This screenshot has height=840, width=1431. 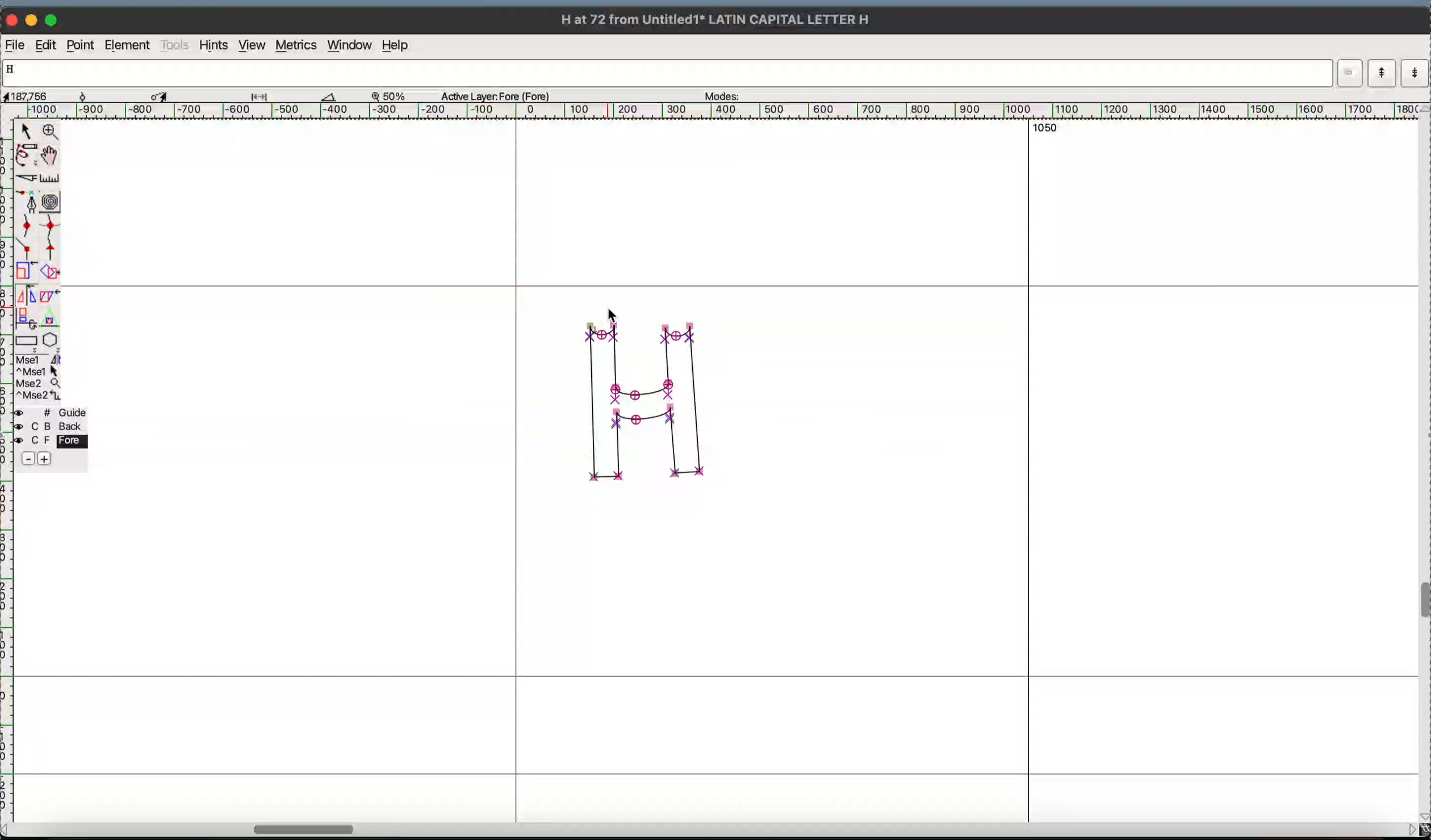 What do you see at coordinates (491, 96) in the screenshot?
I see `Active Layer: Fore (Fore)` at bounding box center [491, 96].